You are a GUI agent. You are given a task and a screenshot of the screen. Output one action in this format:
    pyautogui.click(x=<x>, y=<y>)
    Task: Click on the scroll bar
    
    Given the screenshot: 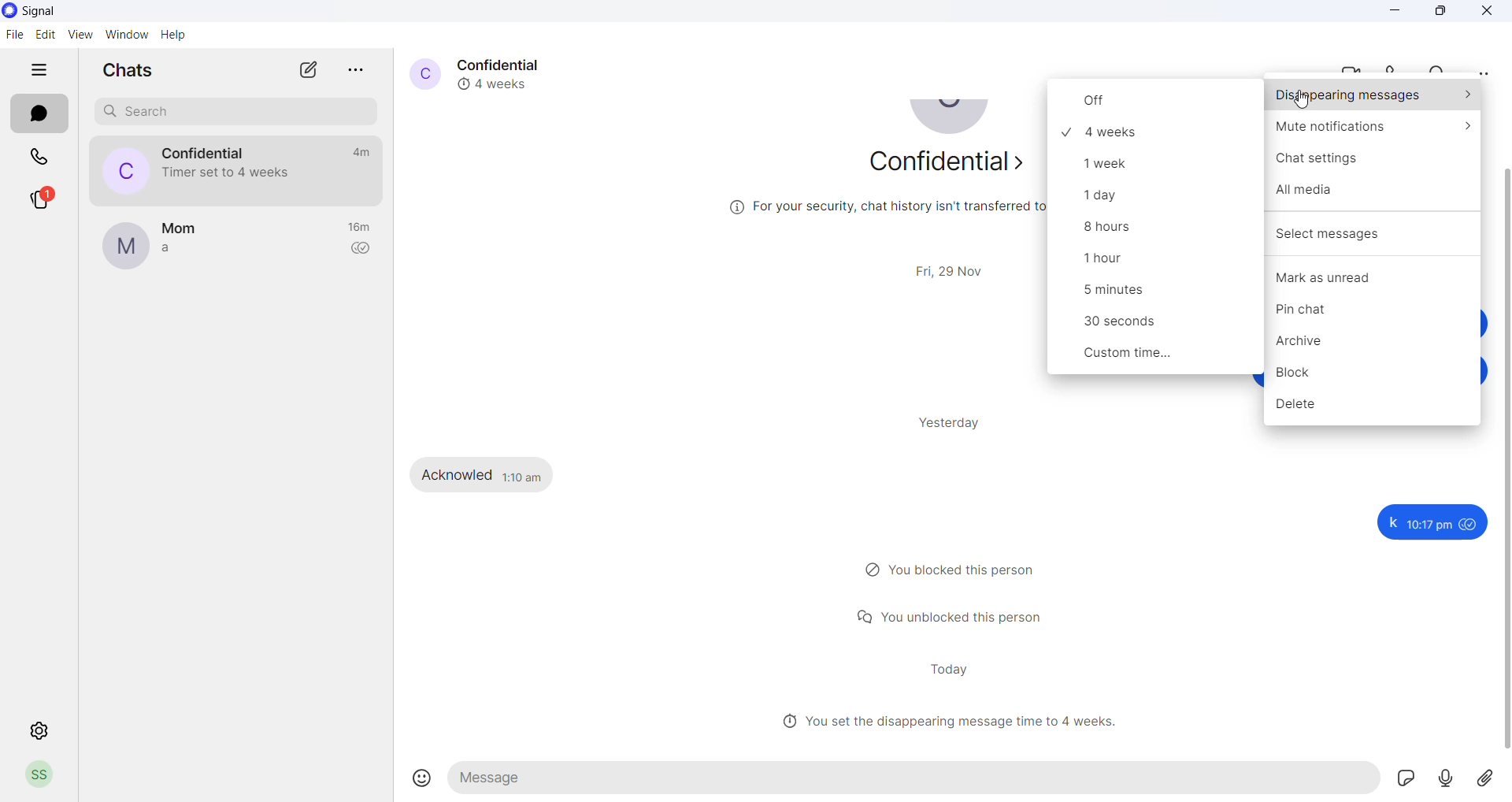 What is the action you would take?
    pyautogui.click(x=1503, y=462)
    